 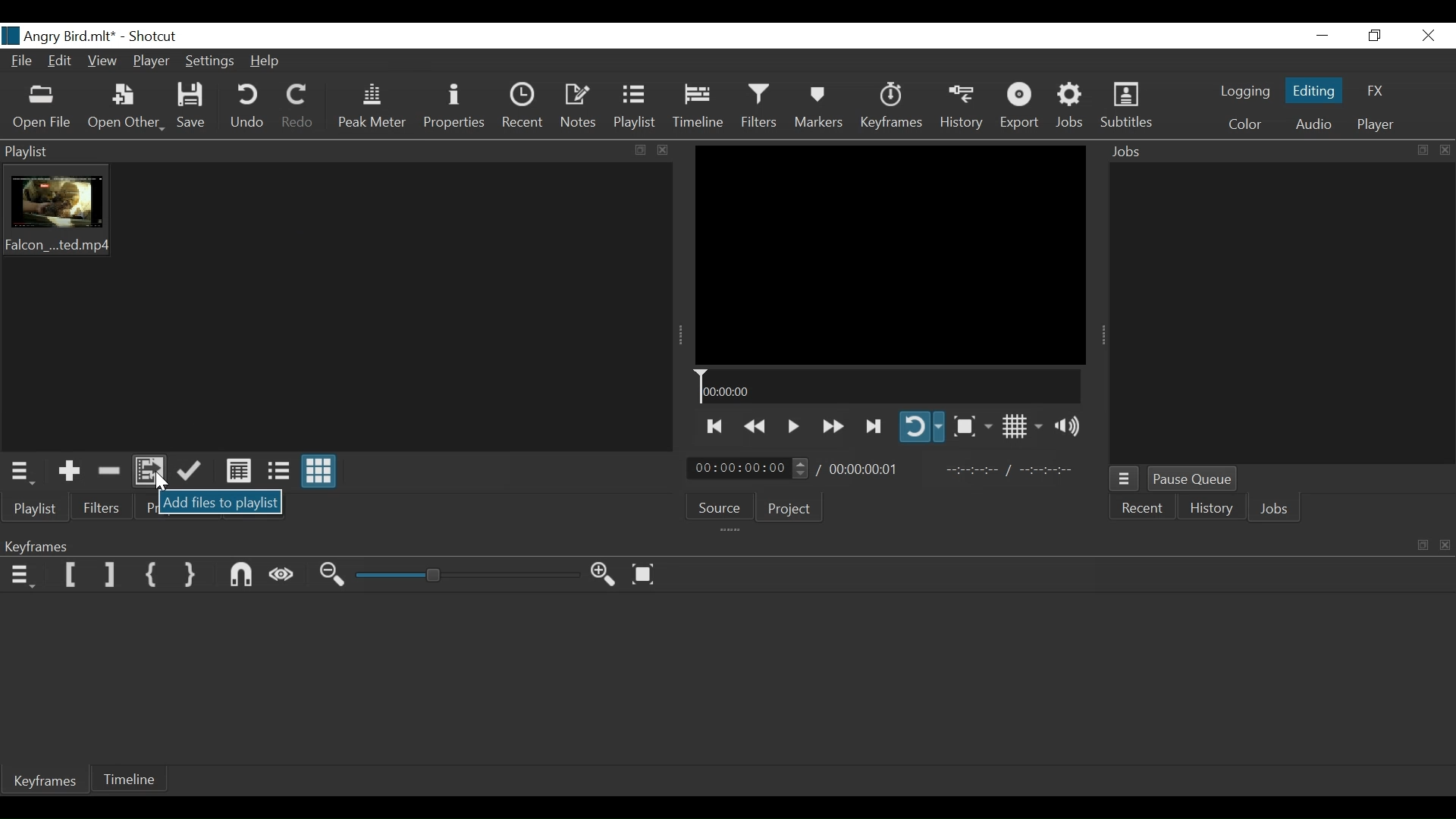 What do you see at coordinates (110, 471) in the screenshot?
I see `Remove cut` at bounding box center [110, 471].